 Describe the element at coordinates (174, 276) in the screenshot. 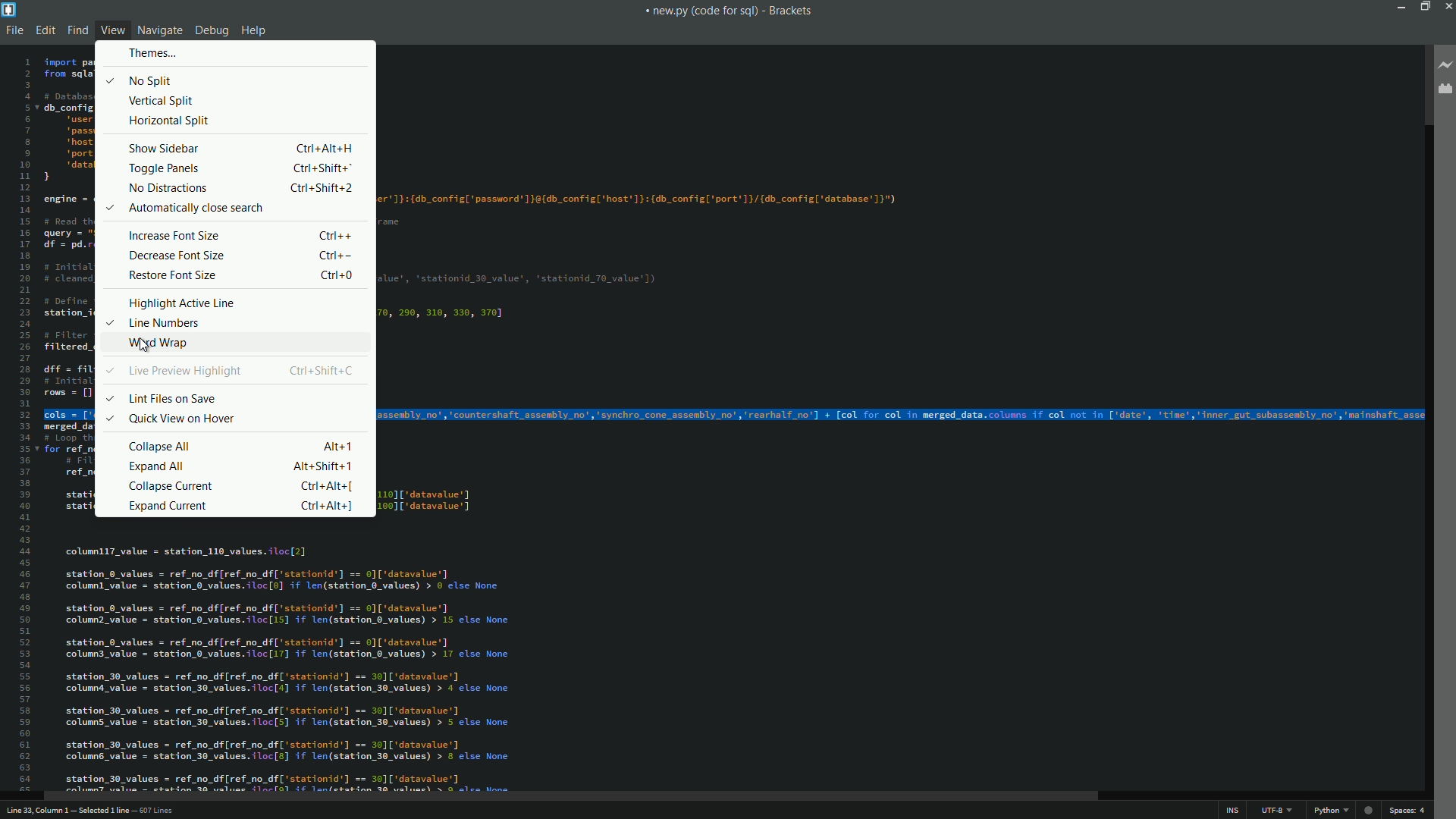

I see `restore font size` at that location.